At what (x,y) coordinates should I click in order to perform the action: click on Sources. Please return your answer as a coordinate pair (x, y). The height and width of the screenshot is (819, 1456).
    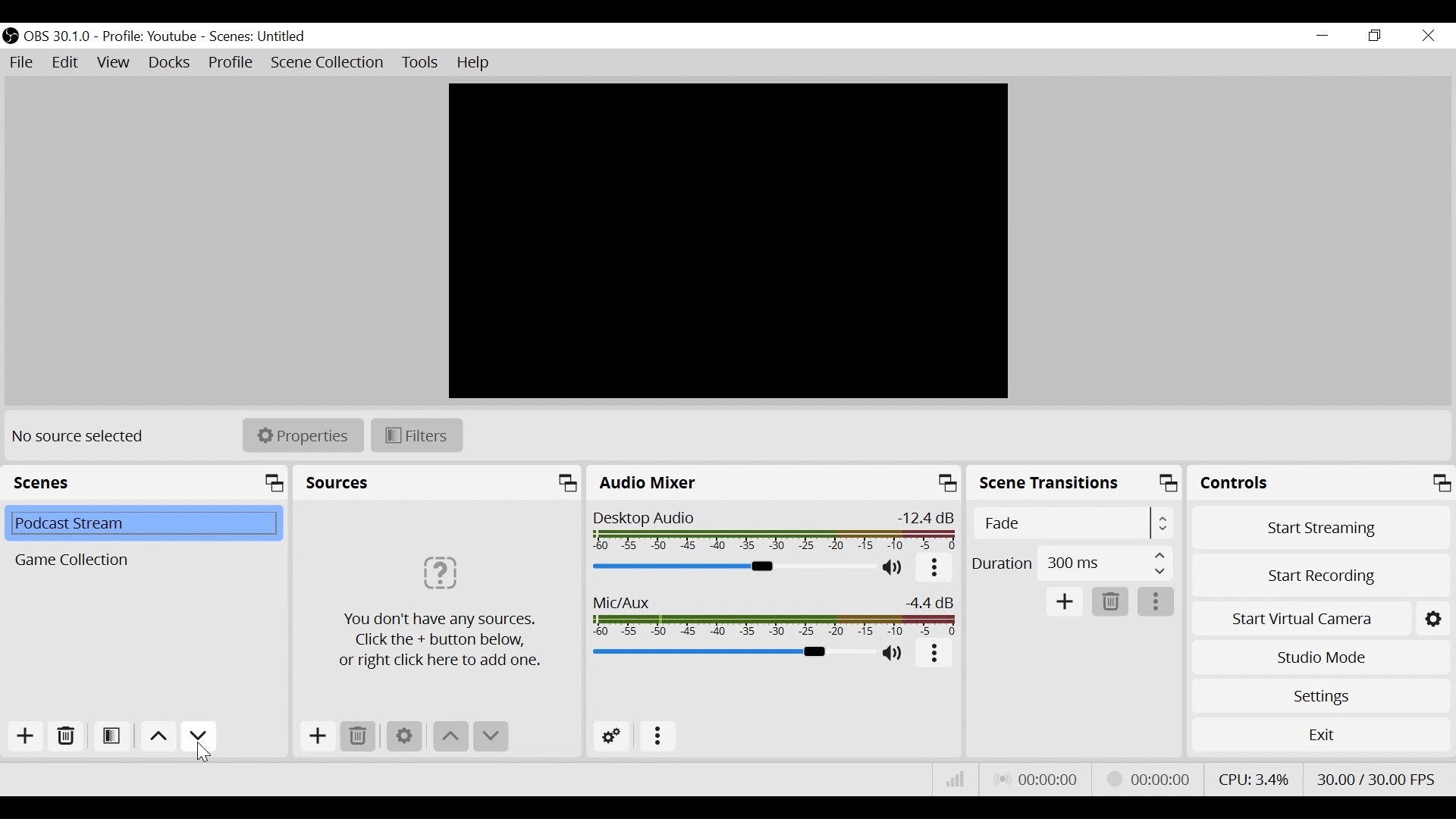
    Looking at the image, I should click on (440, 483).